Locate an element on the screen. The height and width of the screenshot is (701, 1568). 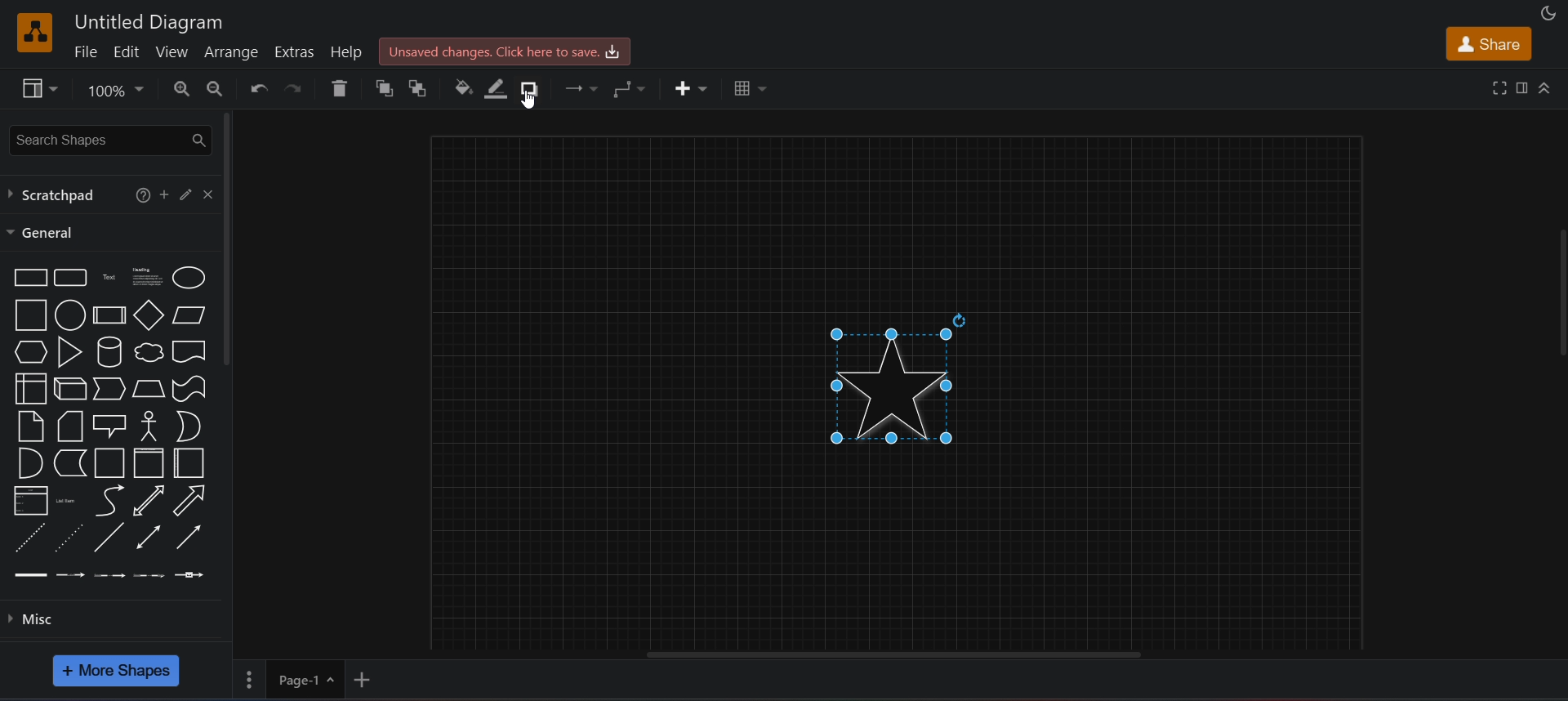
text is located at coordinates (107, 278).